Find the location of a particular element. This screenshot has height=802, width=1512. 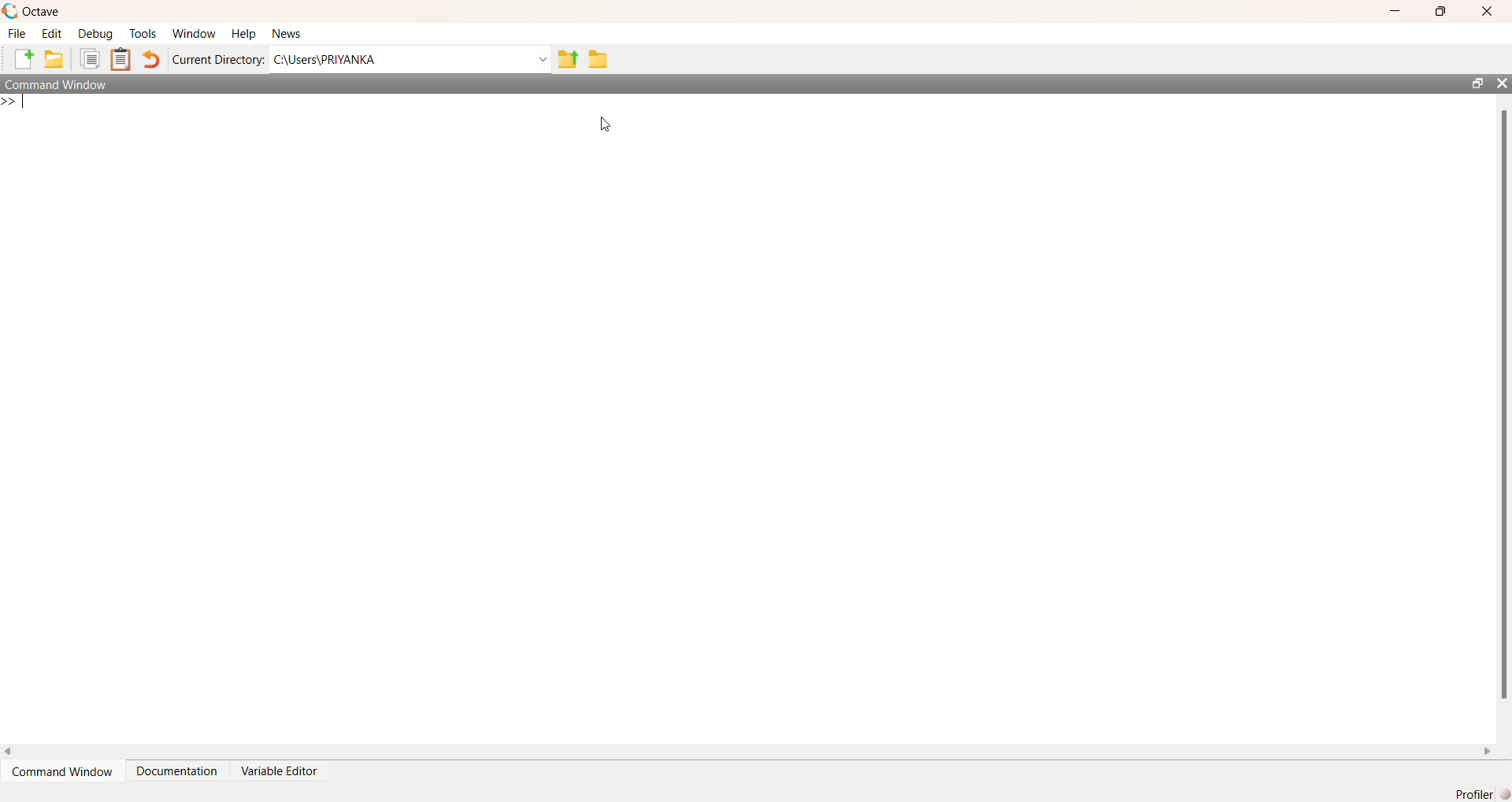

scroll left is located at coordinates (9, 752).